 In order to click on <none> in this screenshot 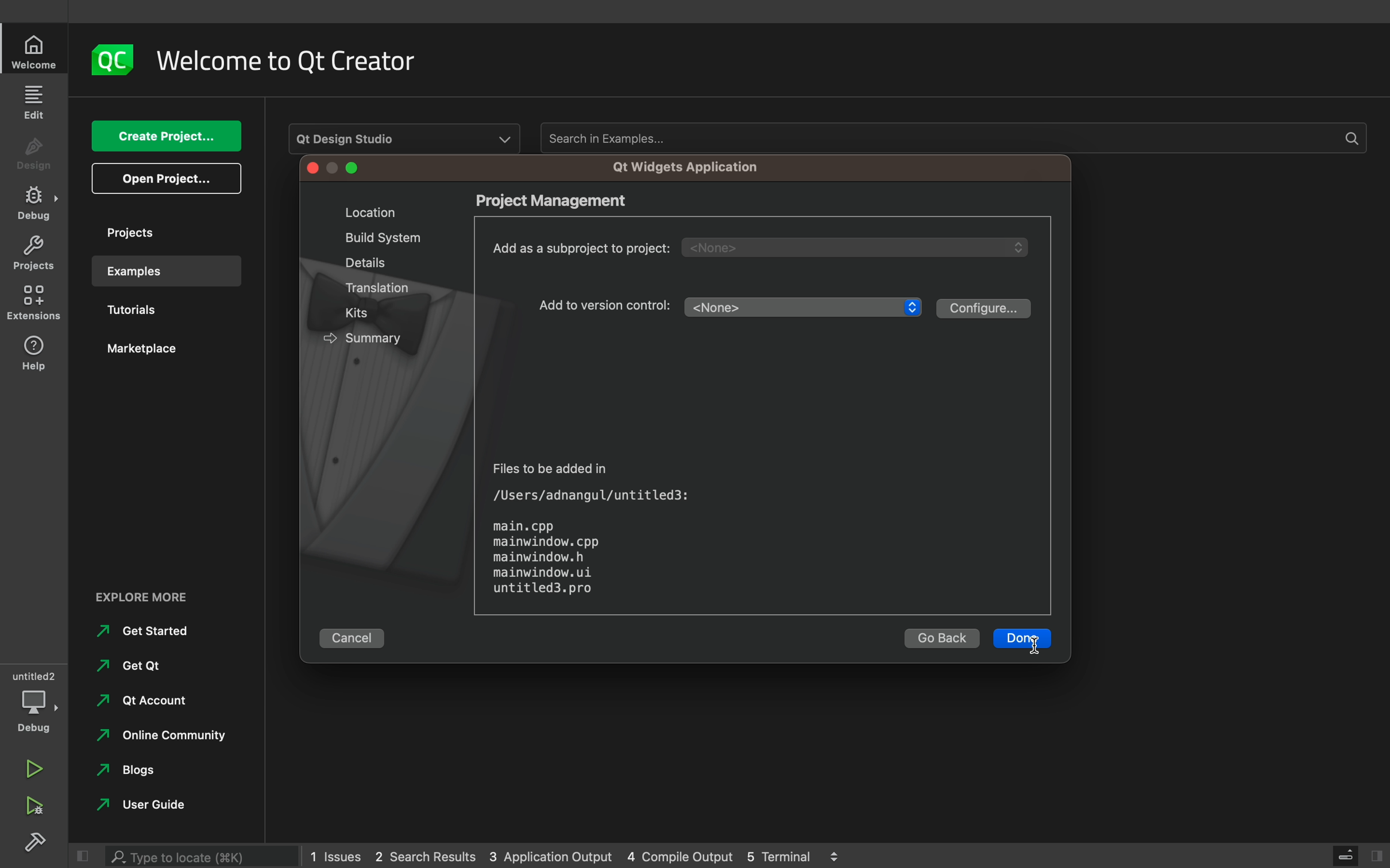, I will do `click(791, 308)`.